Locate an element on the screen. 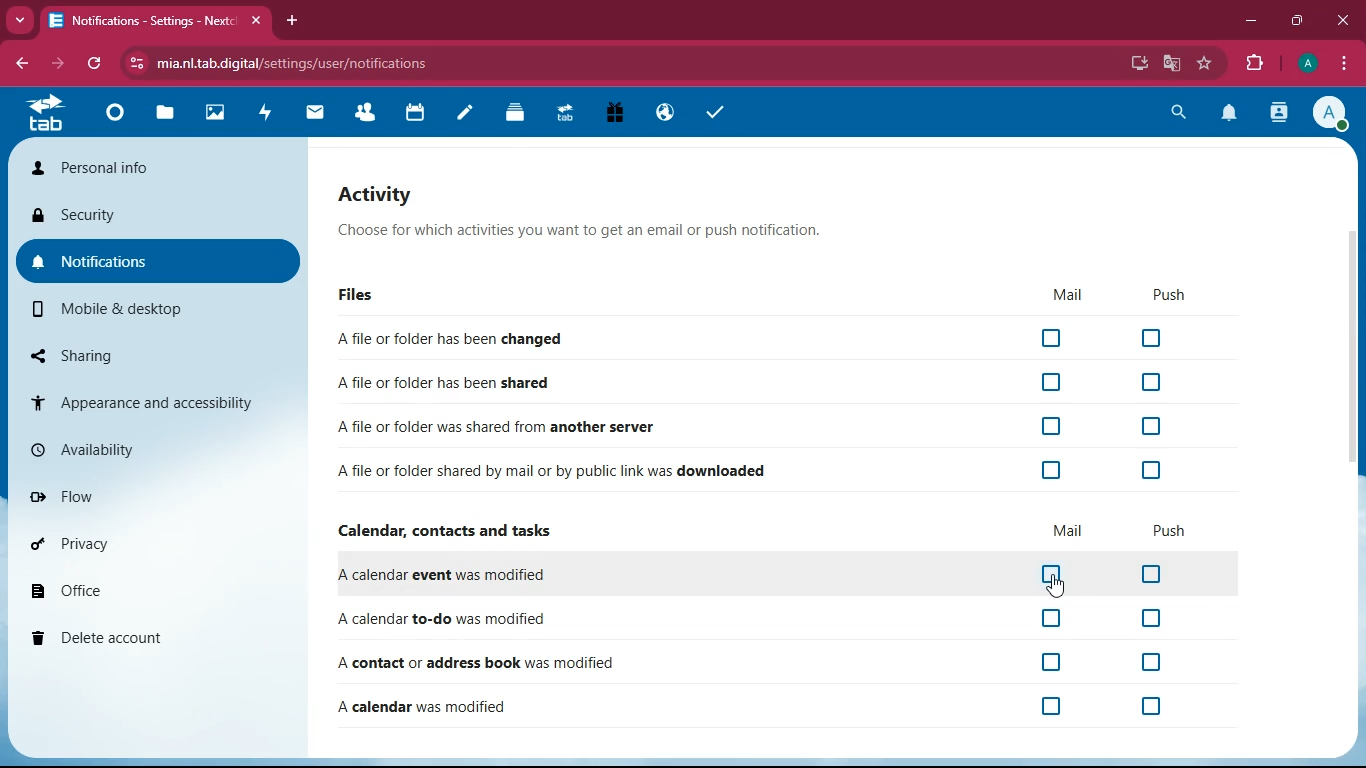  minimize is located at coordinates (1250, 22).